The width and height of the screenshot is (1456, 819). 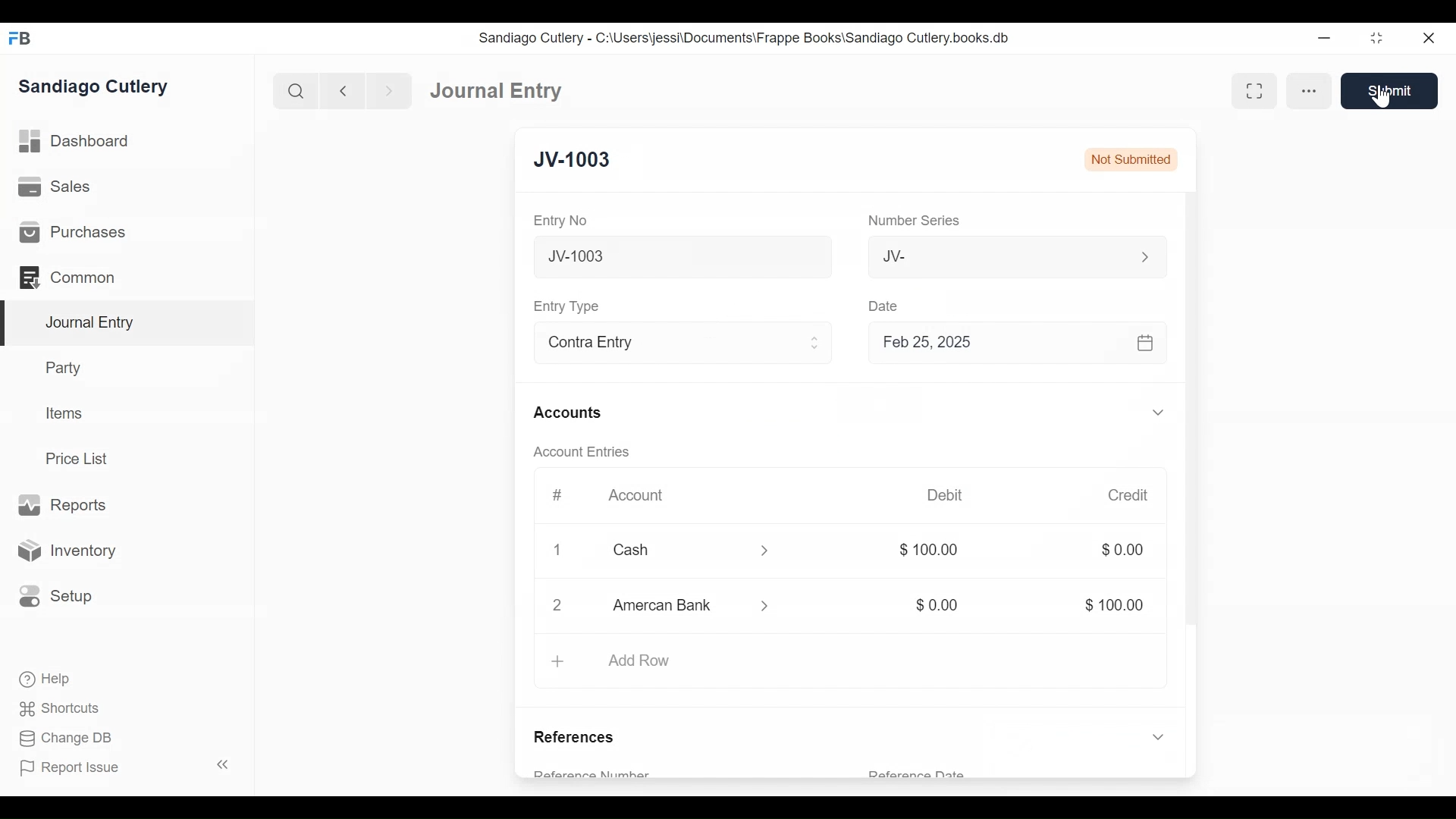 What do you see at coordinates (934, 605) in the screenshot?
I see `$0.00` at bounding box center [934, 605].